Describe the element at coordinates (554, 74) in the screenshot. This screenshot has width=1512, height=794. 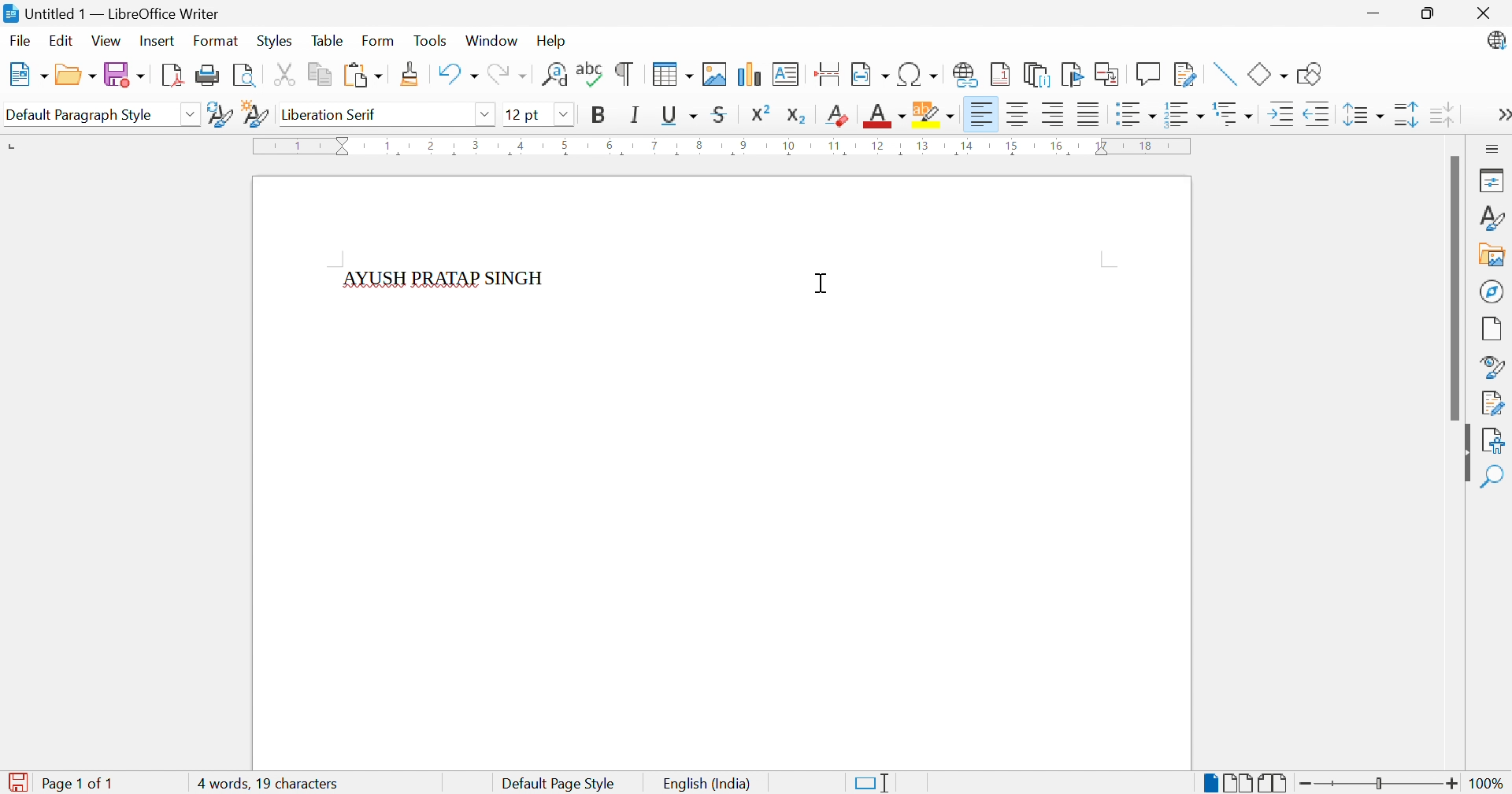
I see `Find and Replace` at that location.